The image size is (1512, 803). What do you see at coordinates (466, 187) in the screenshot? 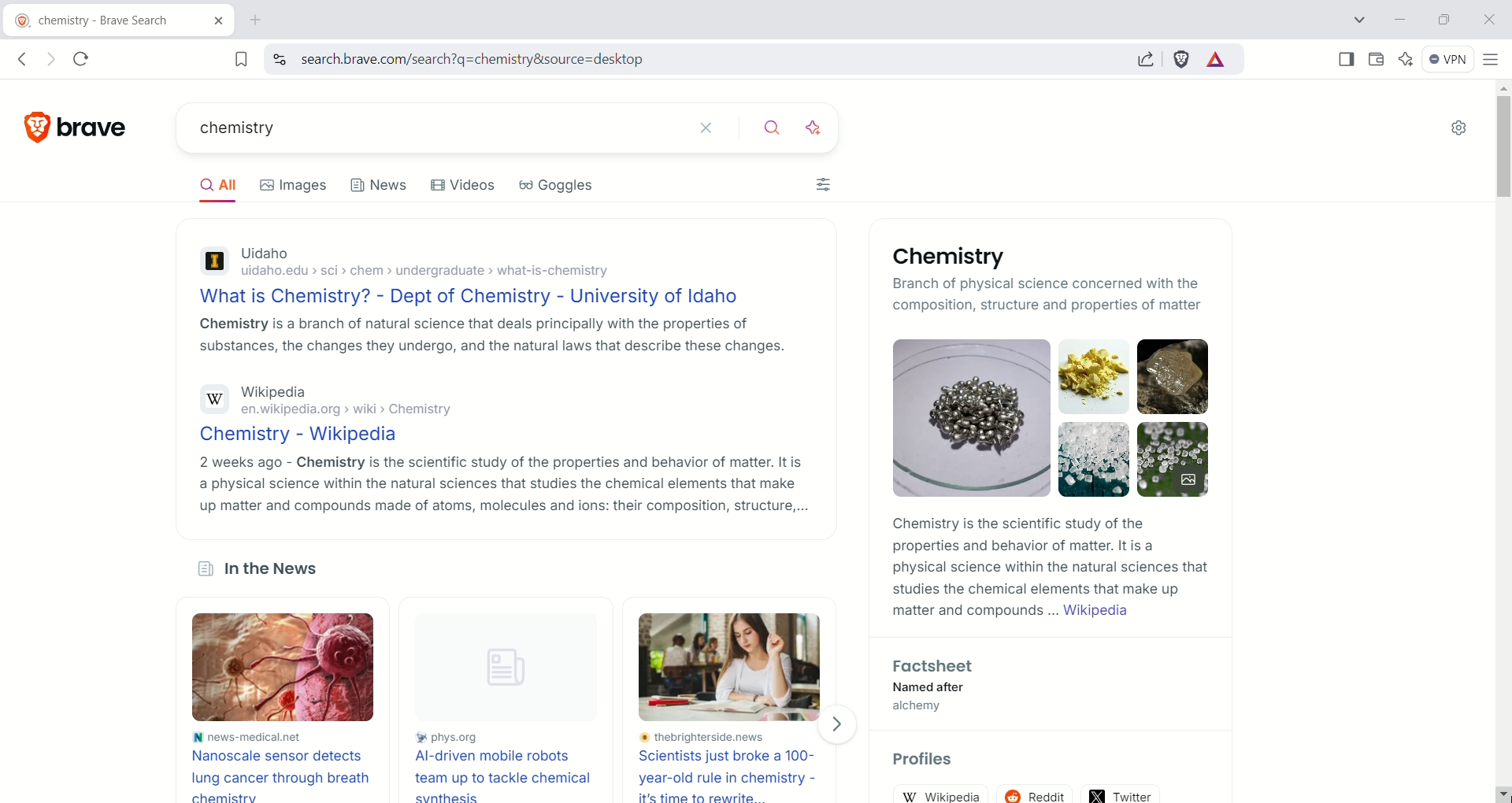
I see `Videos` at bounding box center [466, 187].